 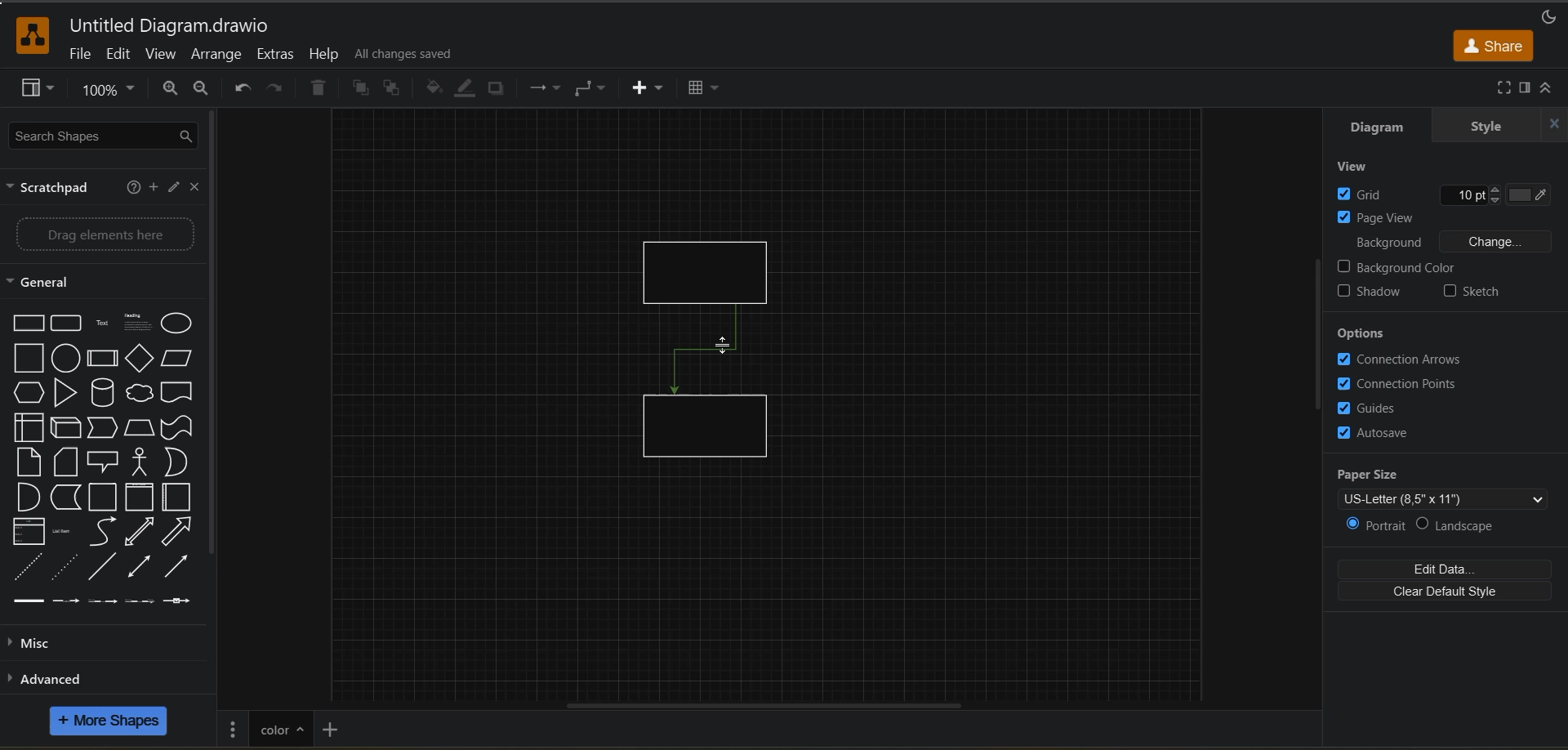 I want to click on extras, so click(x=278, y=55).